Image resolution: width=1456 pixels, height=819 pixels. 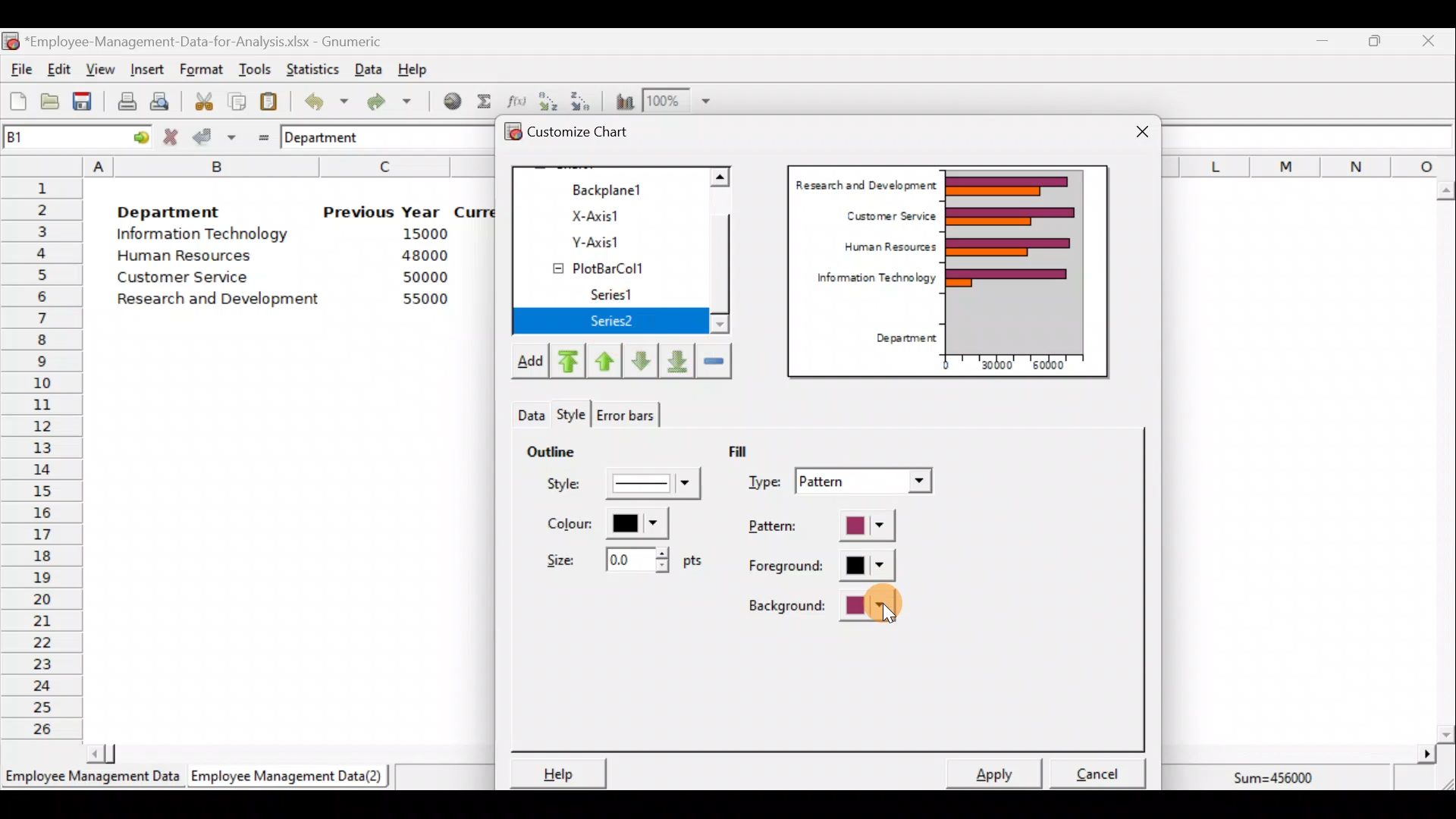 What do you see at coordinates (588, 134) in the screenshot?
I see `Customize chart` at bounding box center [588, 134].